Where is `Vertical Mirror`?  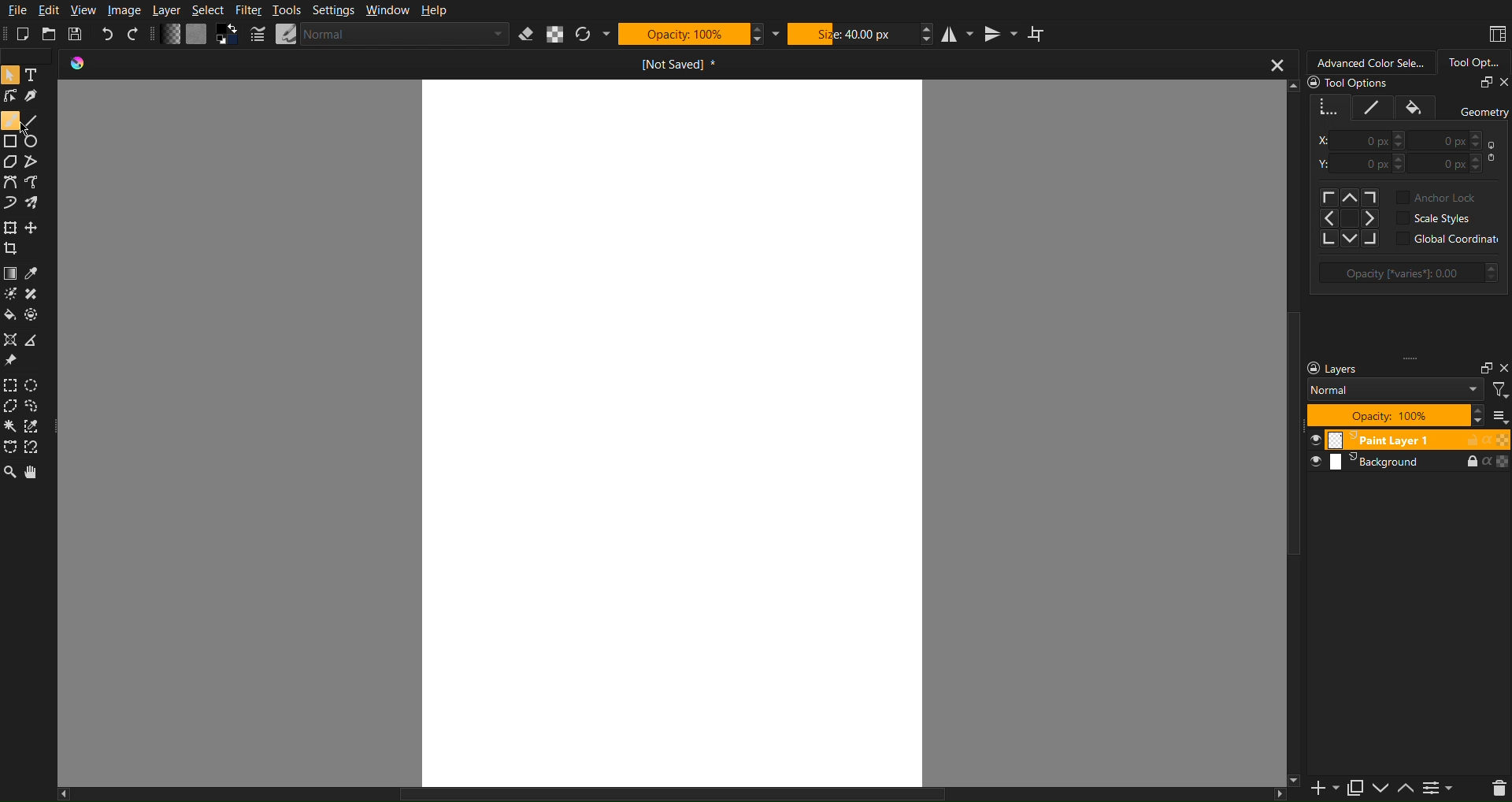 Vertical Mirror is located at coordinates (1000, 34).